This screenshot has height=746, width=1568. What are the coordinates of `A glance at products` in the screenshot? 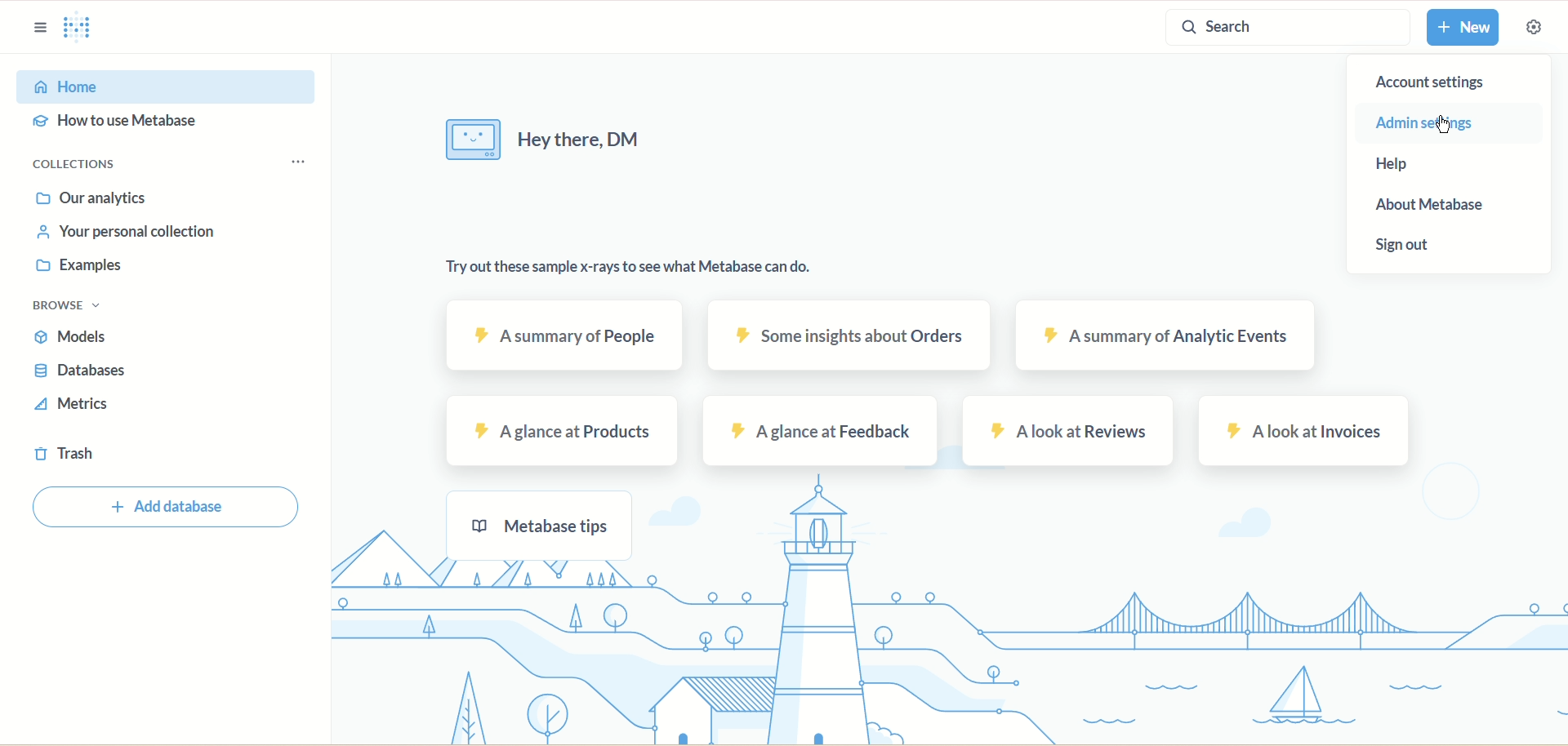 It's located at (561, 429).